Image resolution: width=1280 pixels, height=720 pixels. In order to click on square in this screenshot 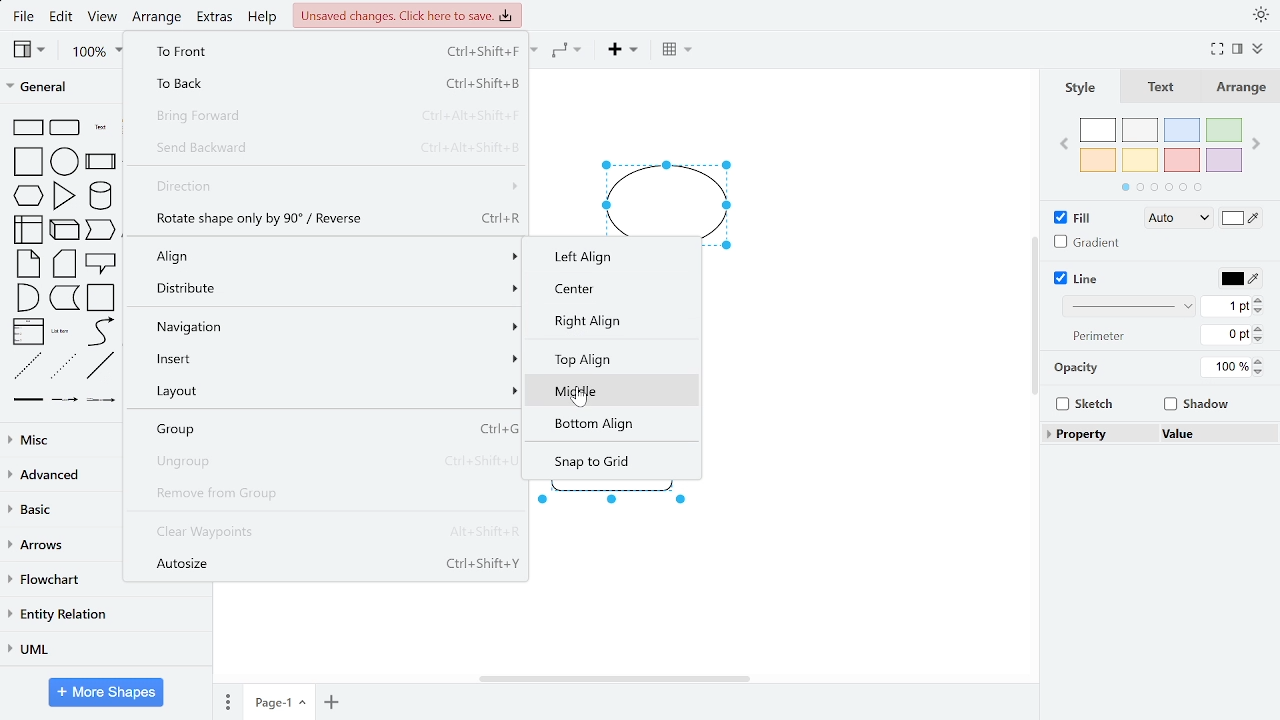, I will do `click(27, 162)`.